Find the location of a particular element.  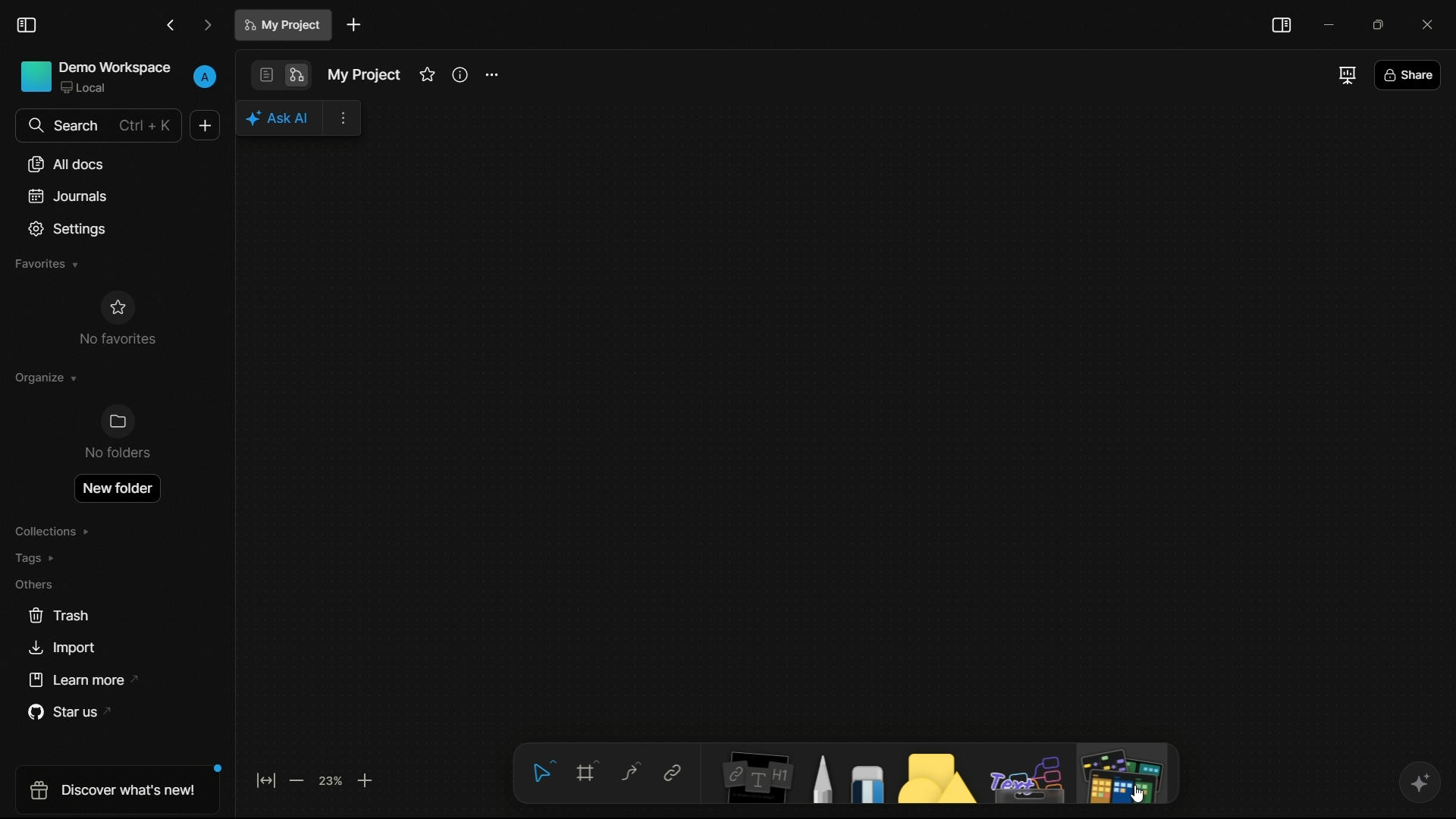

new document is located at coordinates (354, 25).